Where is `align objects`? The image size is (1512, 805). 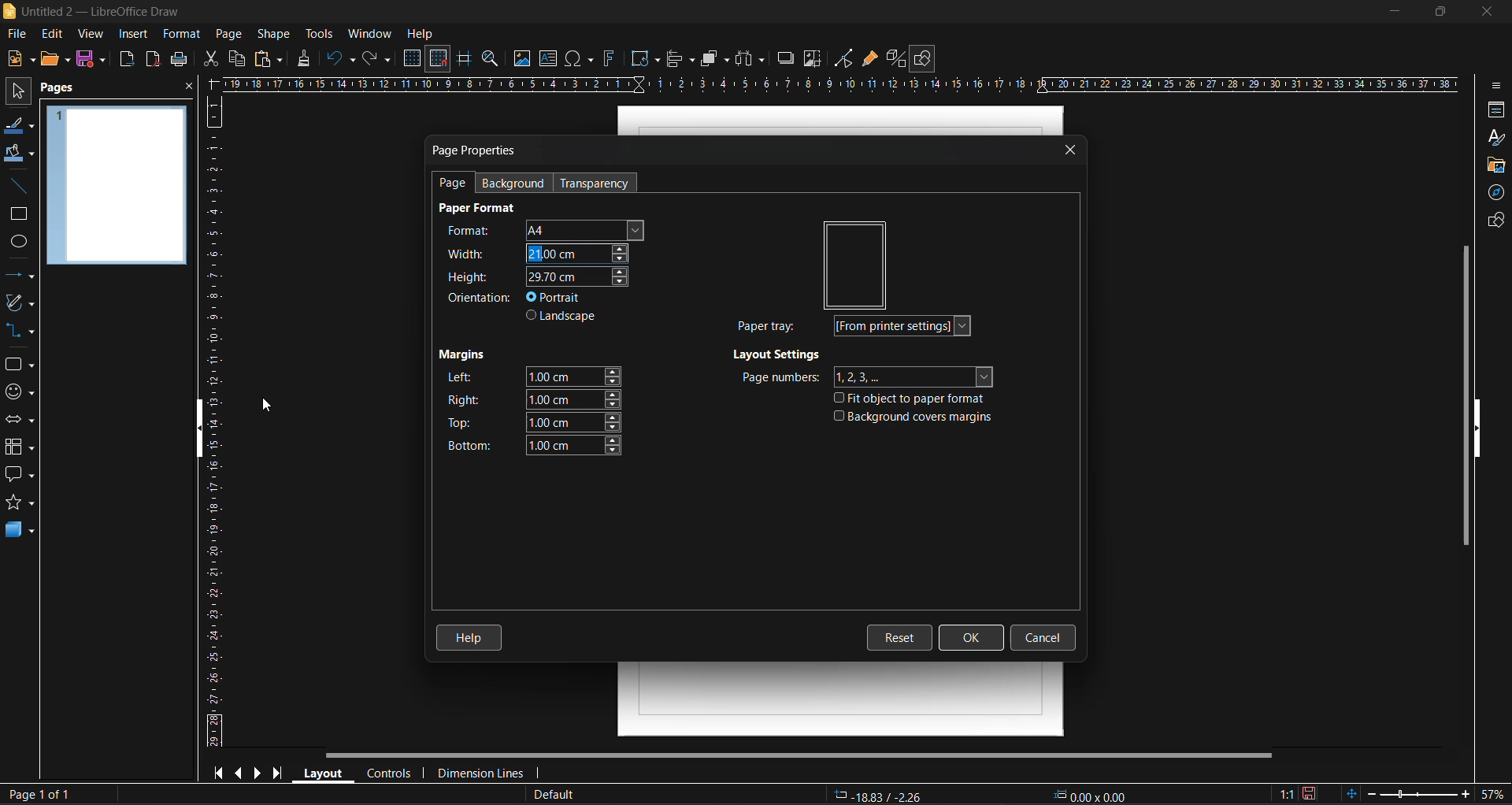
align objects is located at coordinates (681, 61).